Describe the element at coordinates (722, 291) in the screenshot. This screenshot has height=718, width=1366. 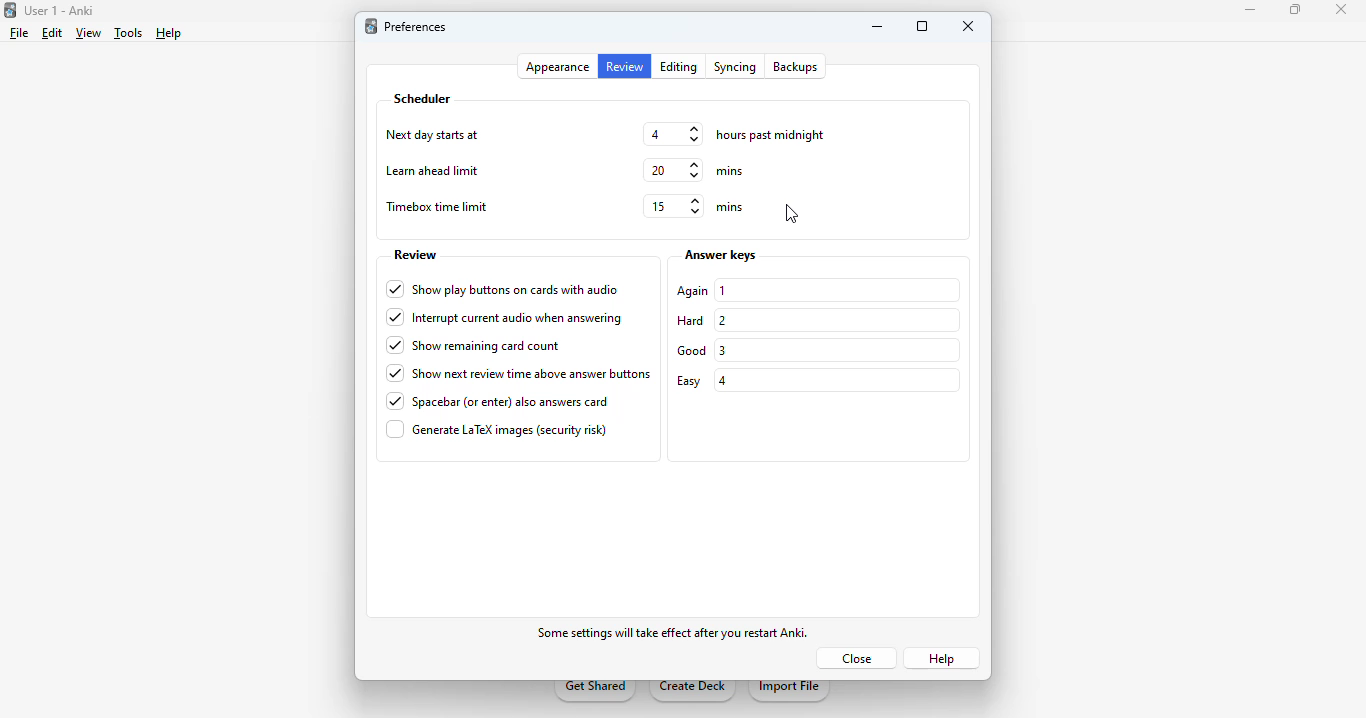
I see `1` at that location.